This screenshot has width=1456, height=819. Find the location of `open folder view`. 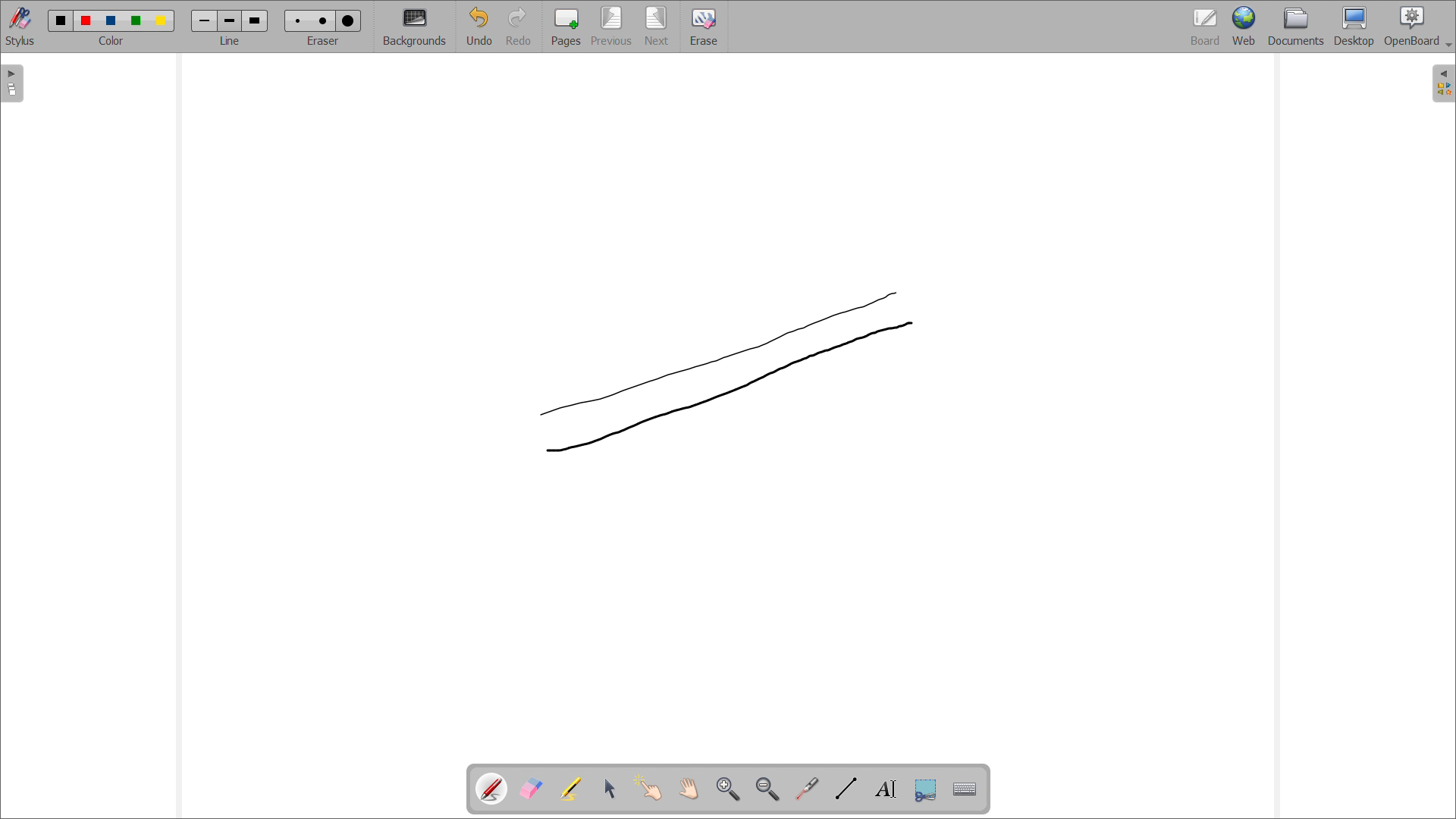

open folder view is located at coordinates (1443, 83).